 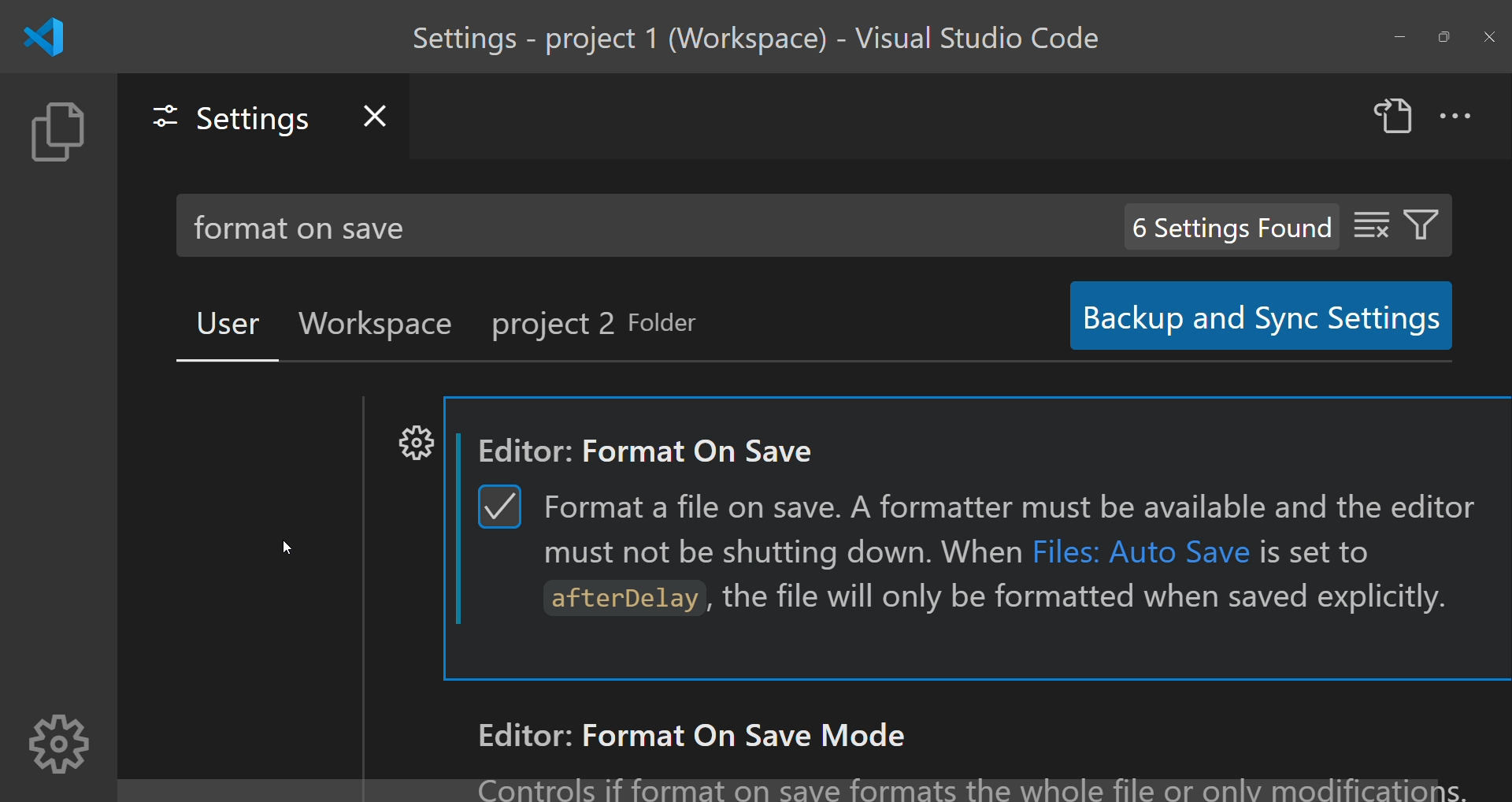 What do you see at coordinates (374, 323) in the screenshot?
I see `workplace` at bounding box center [374, 323].